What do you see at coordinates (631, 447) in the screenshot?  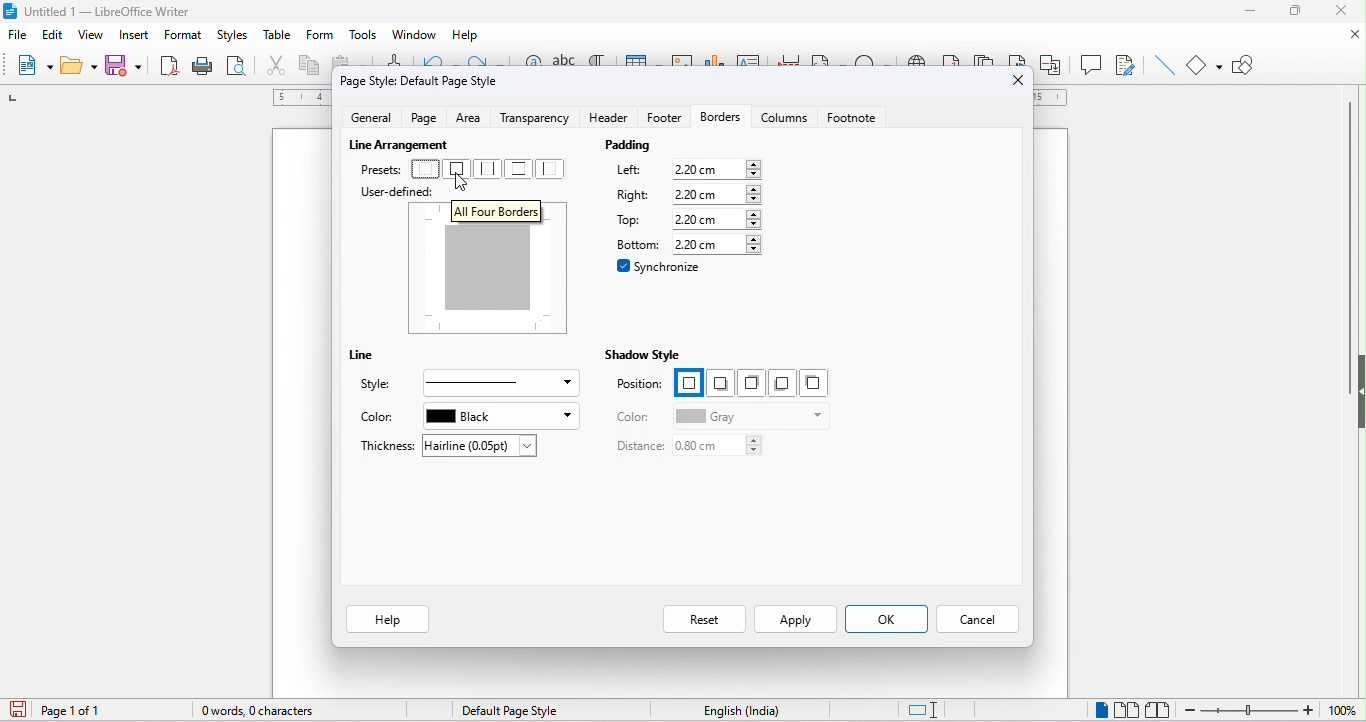 I see `distance` at bounding box center [631, 447].